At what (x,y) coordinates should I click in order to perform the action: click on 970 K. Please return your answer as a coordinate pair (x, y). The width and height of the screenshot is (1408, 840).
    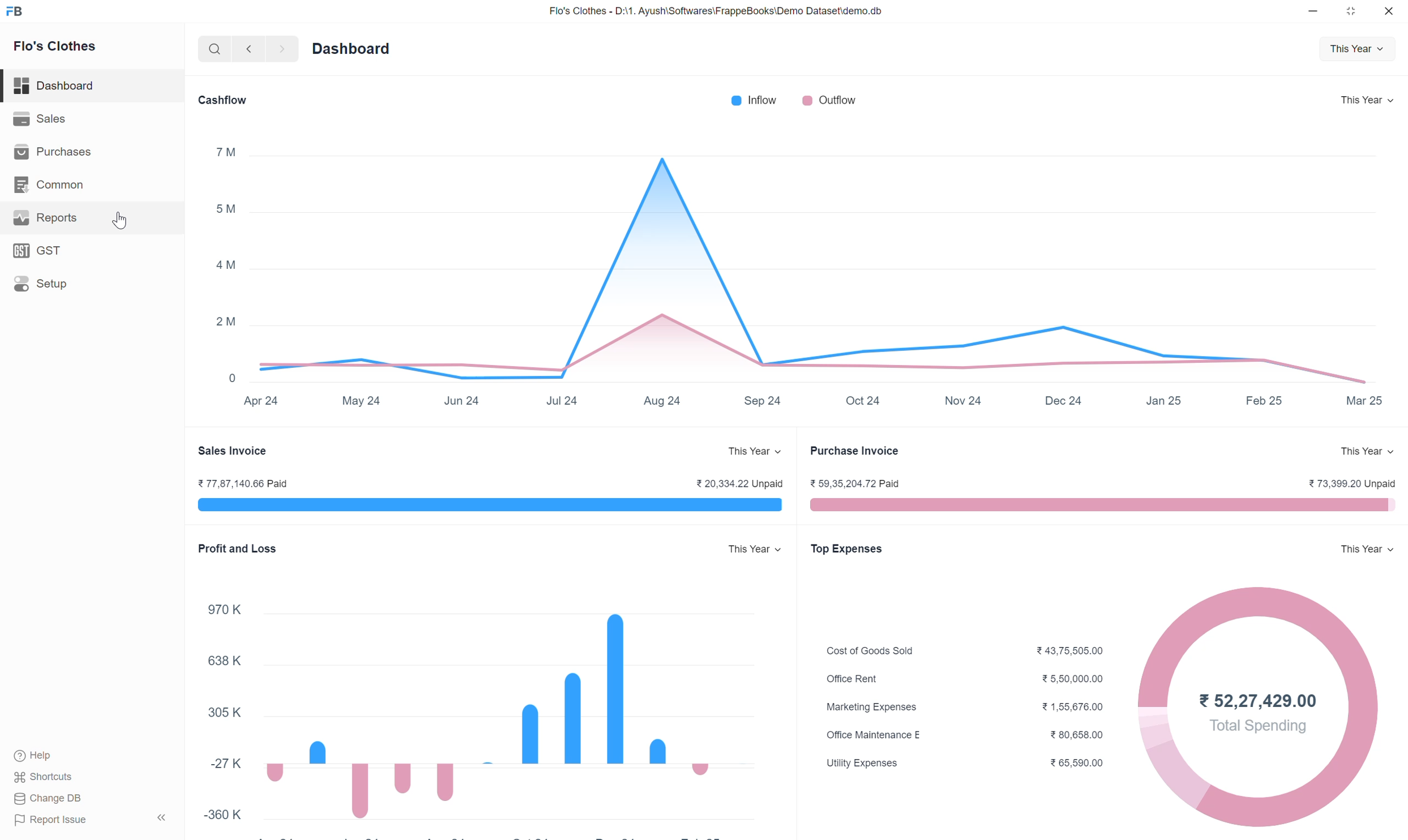
    Looking at the image, I should click on (222, 606).